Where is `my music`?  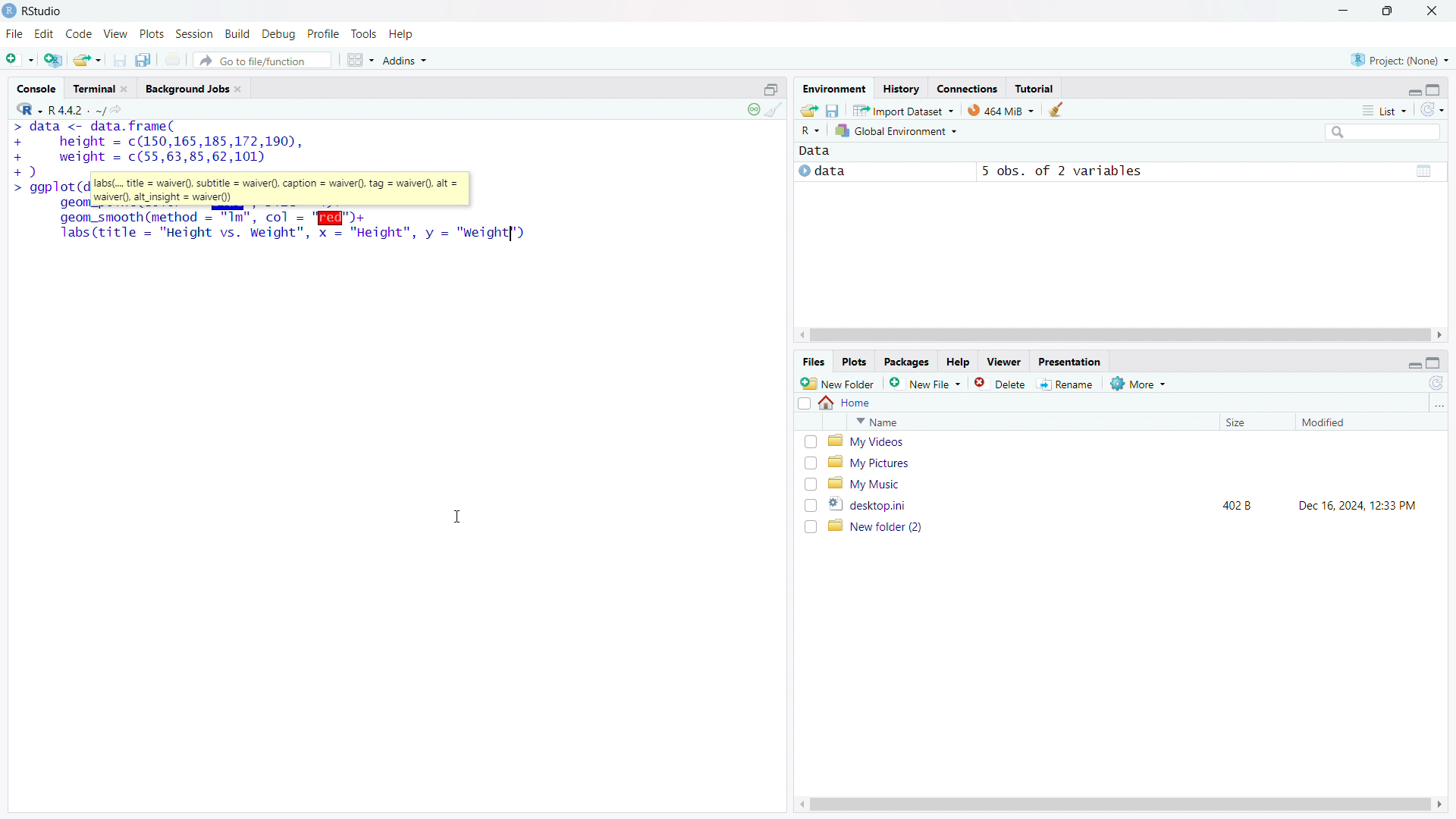
my music is located at coordinates (1130, 483).